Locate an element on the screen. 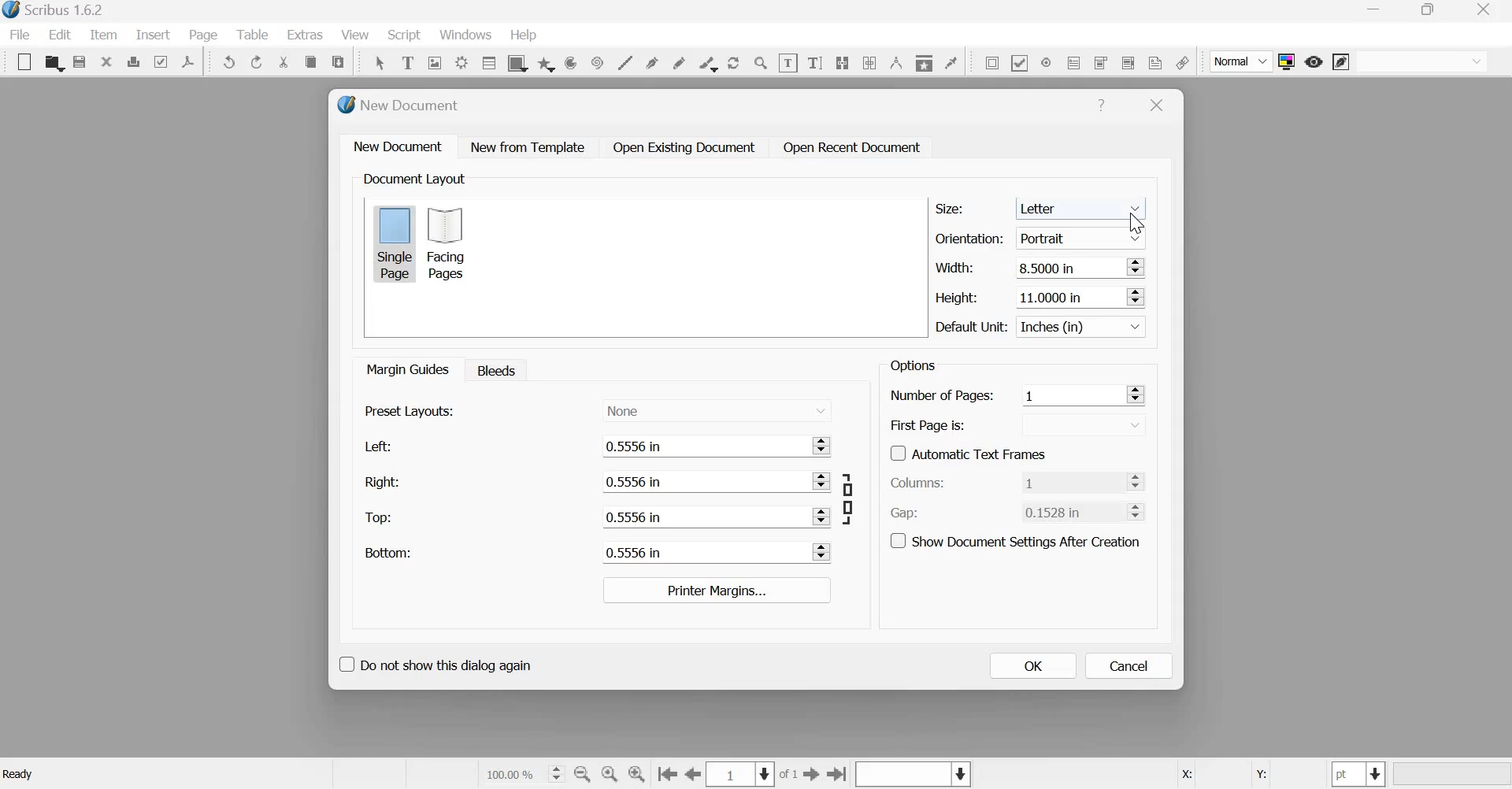  Link text frames is located at coordinates (842, 61).